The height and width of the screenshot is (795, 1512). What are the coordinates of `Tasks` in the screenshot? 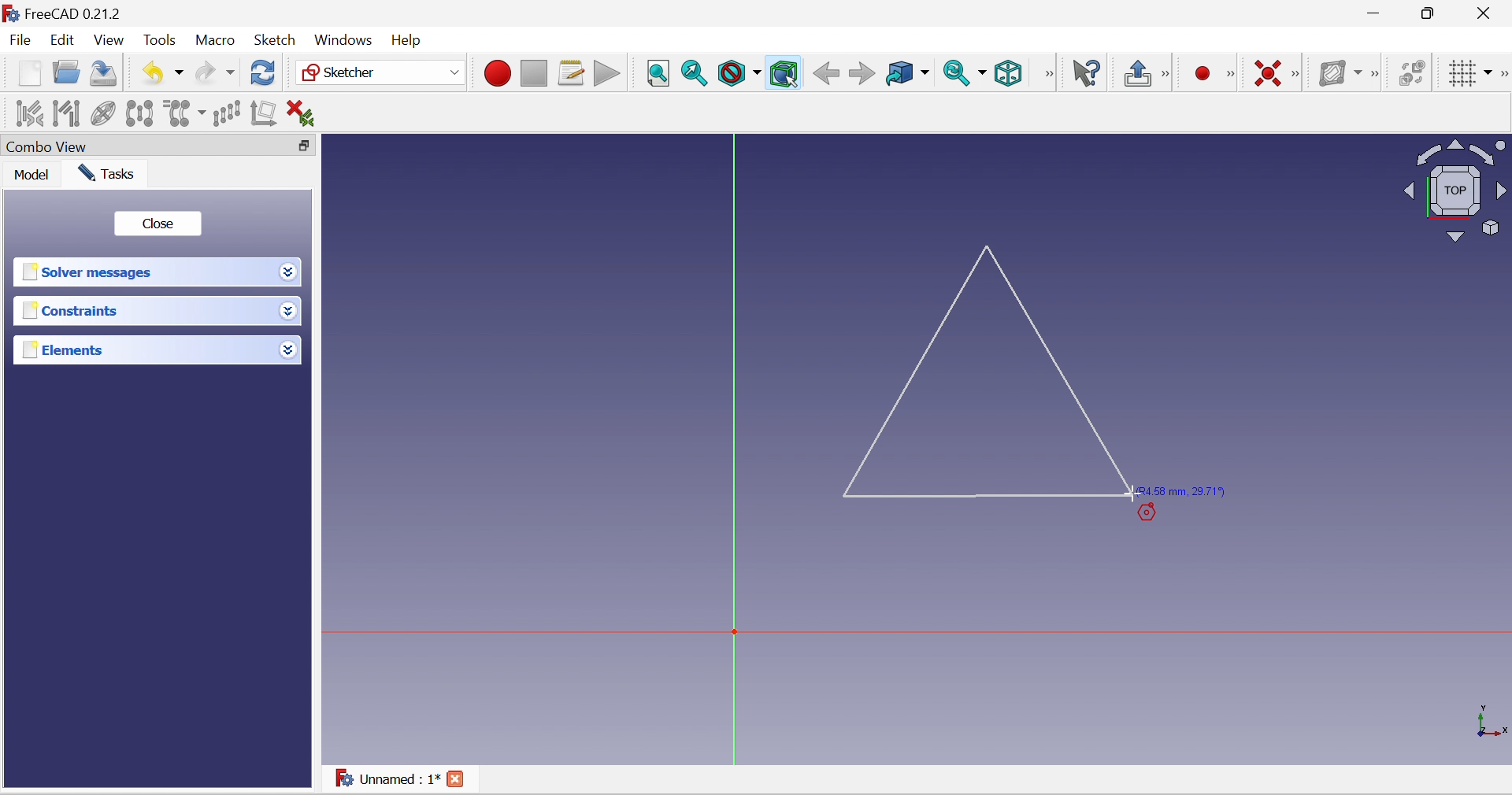 It's located at (106, 174).